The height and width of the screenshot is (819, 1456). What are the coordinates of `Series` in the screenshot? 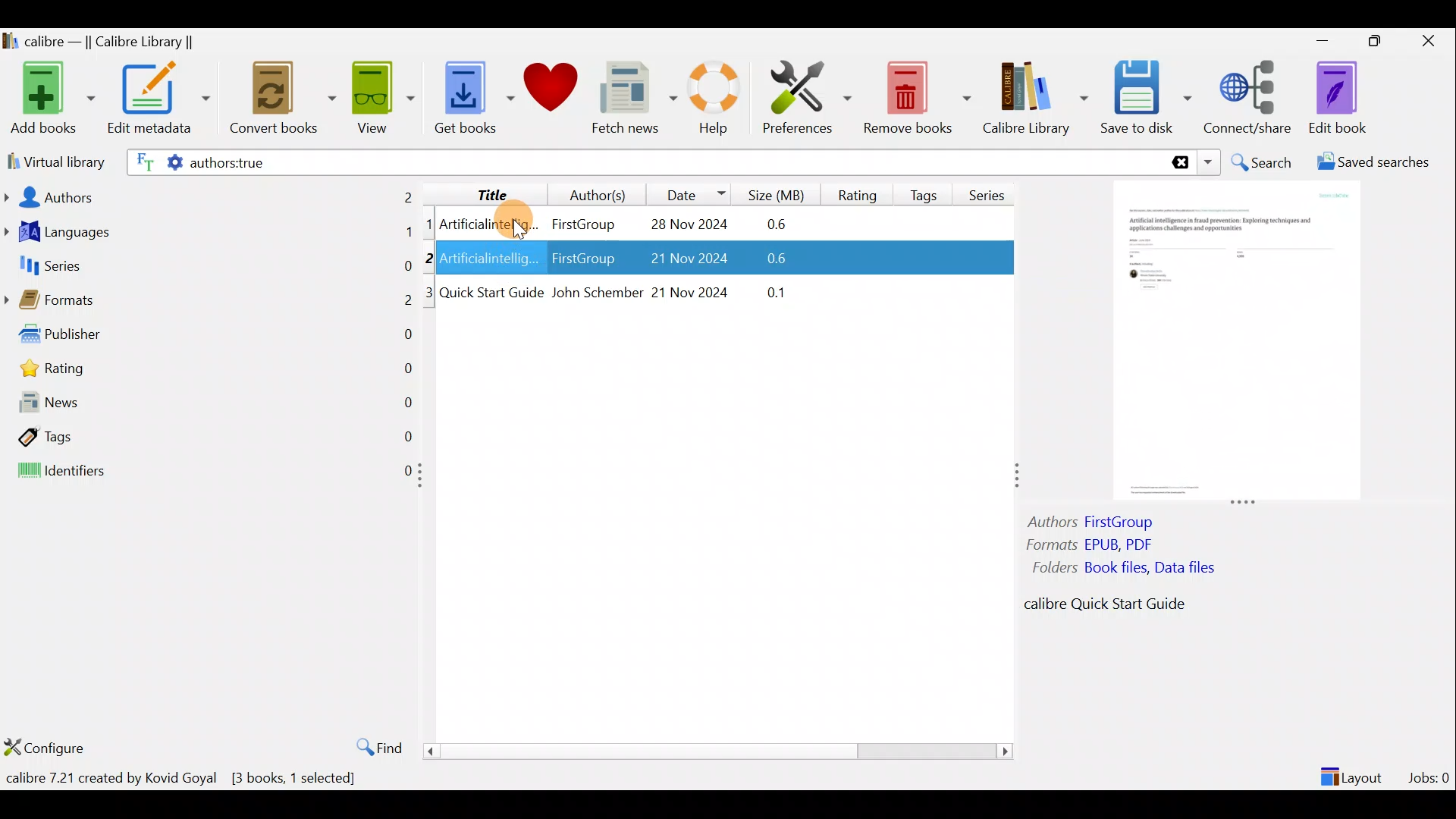 It's located at (992, 190).